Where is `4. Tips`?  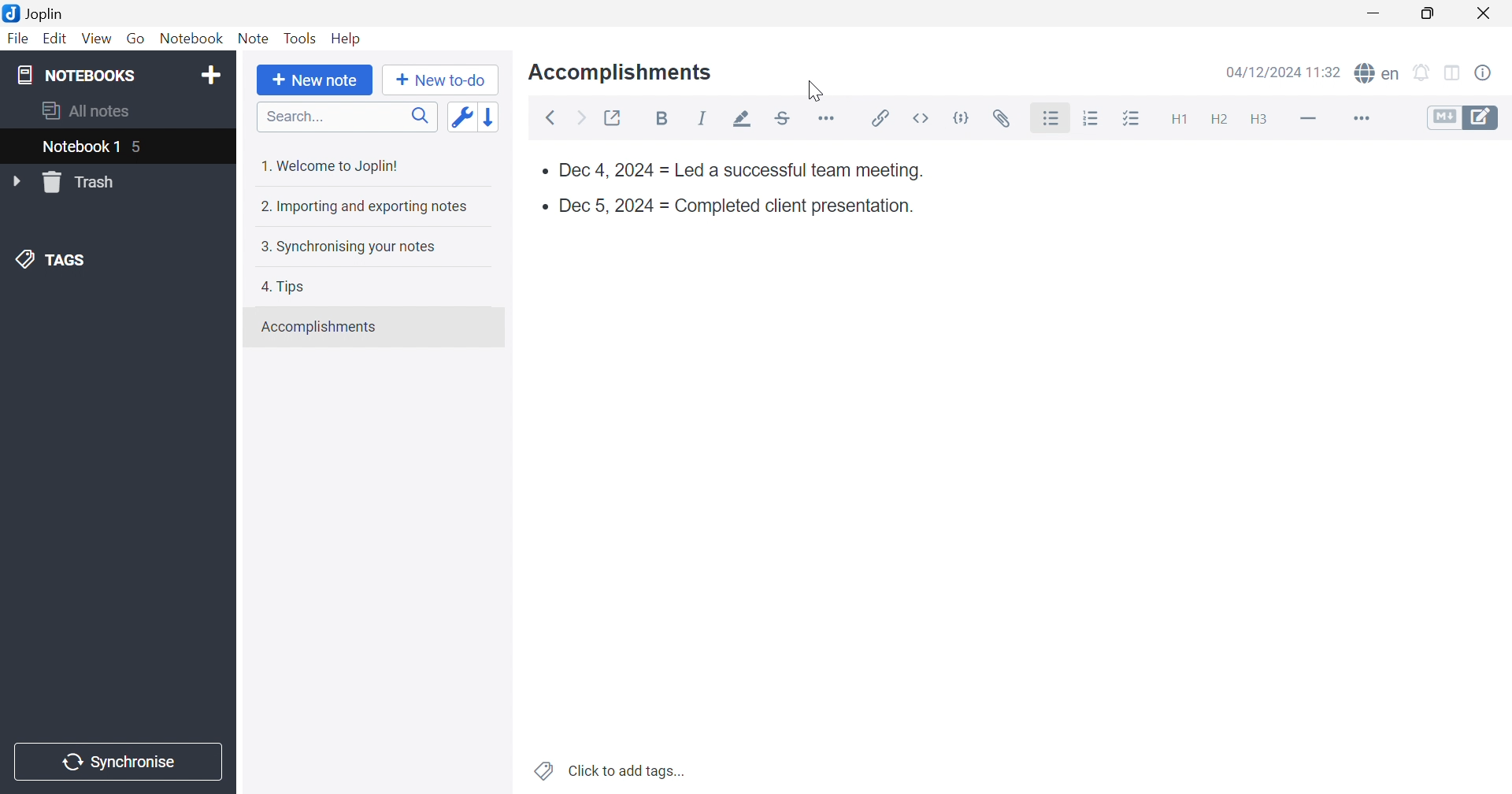
4. Tips is located at coordinates (283, 288).